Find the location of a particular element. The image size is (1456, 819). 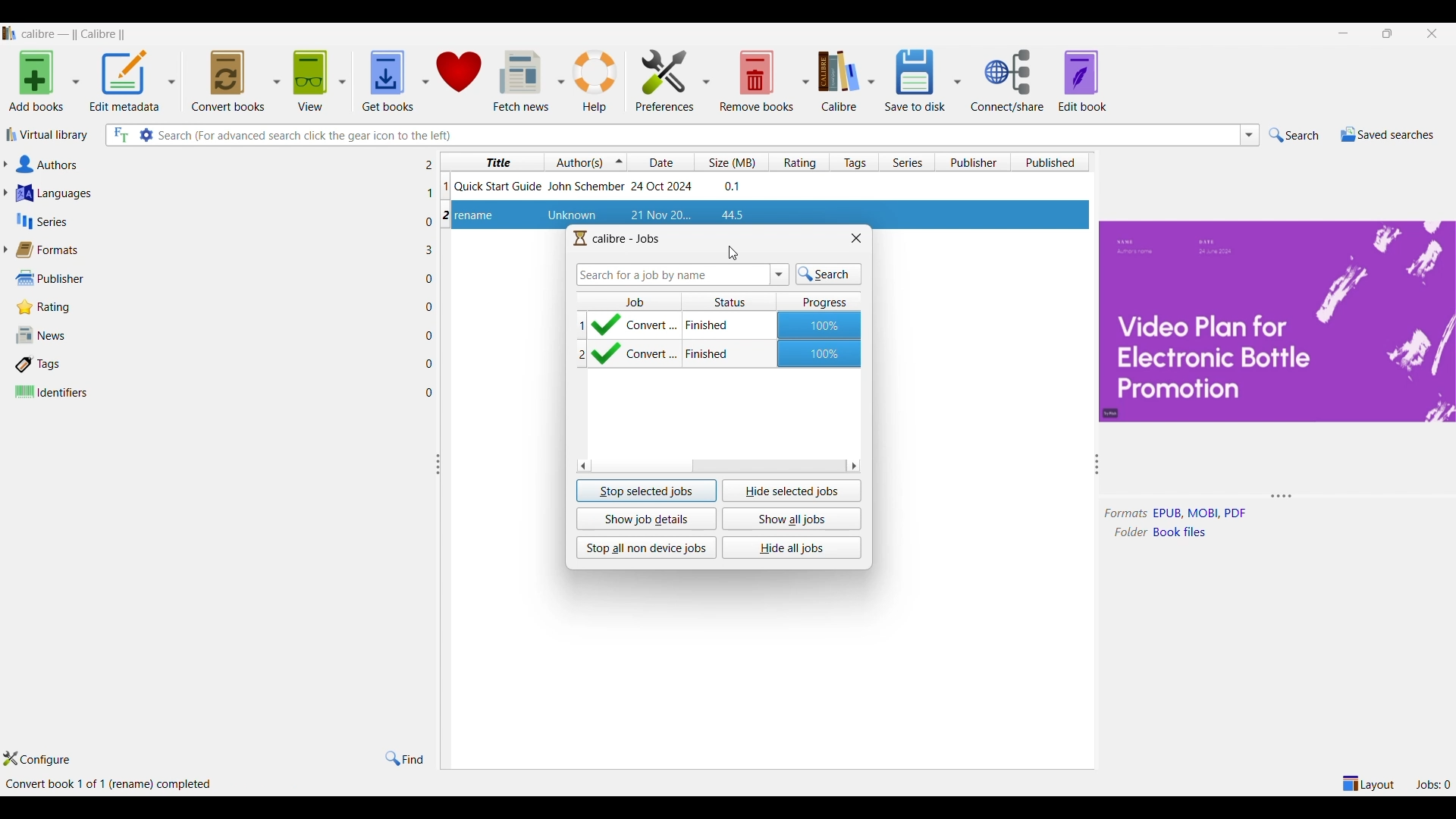

EPUB, MOBI, PDF is located at coordinates (1200, 513).